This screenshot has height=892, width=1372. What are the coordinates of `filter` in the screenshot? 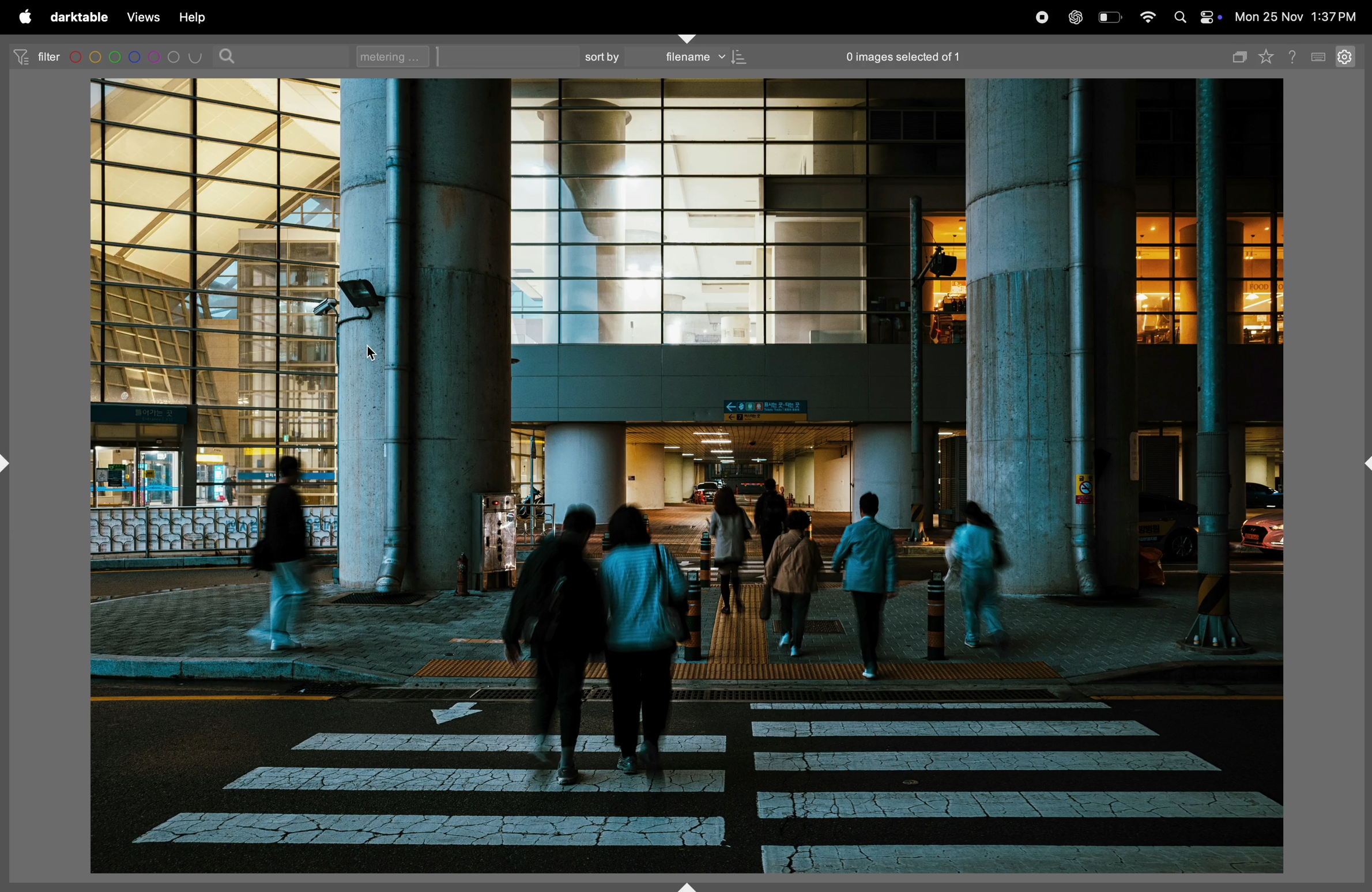 It's located at (36, 56).